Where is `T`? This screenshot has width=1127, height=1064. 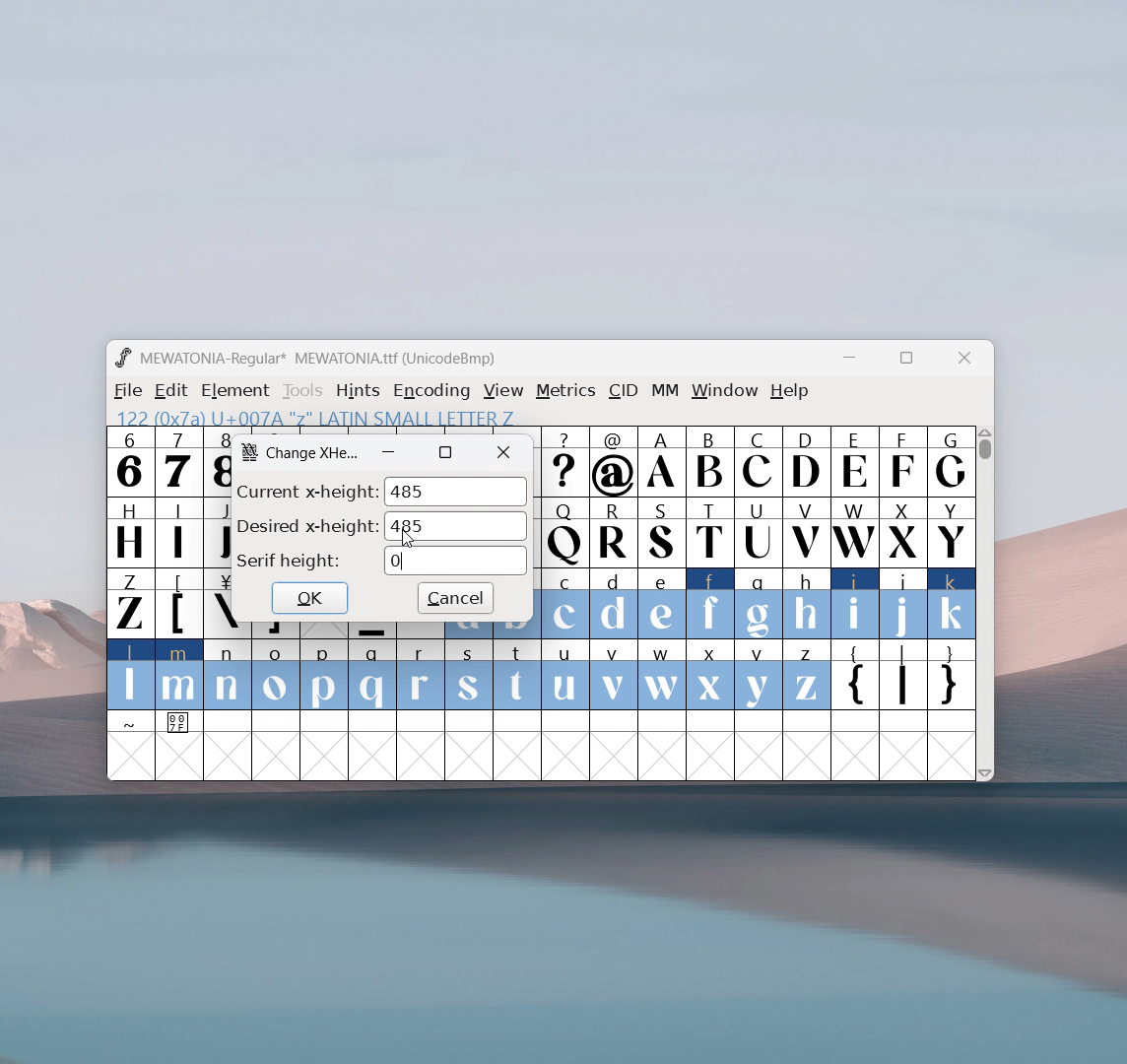
T is located at coordinates (711, 533).